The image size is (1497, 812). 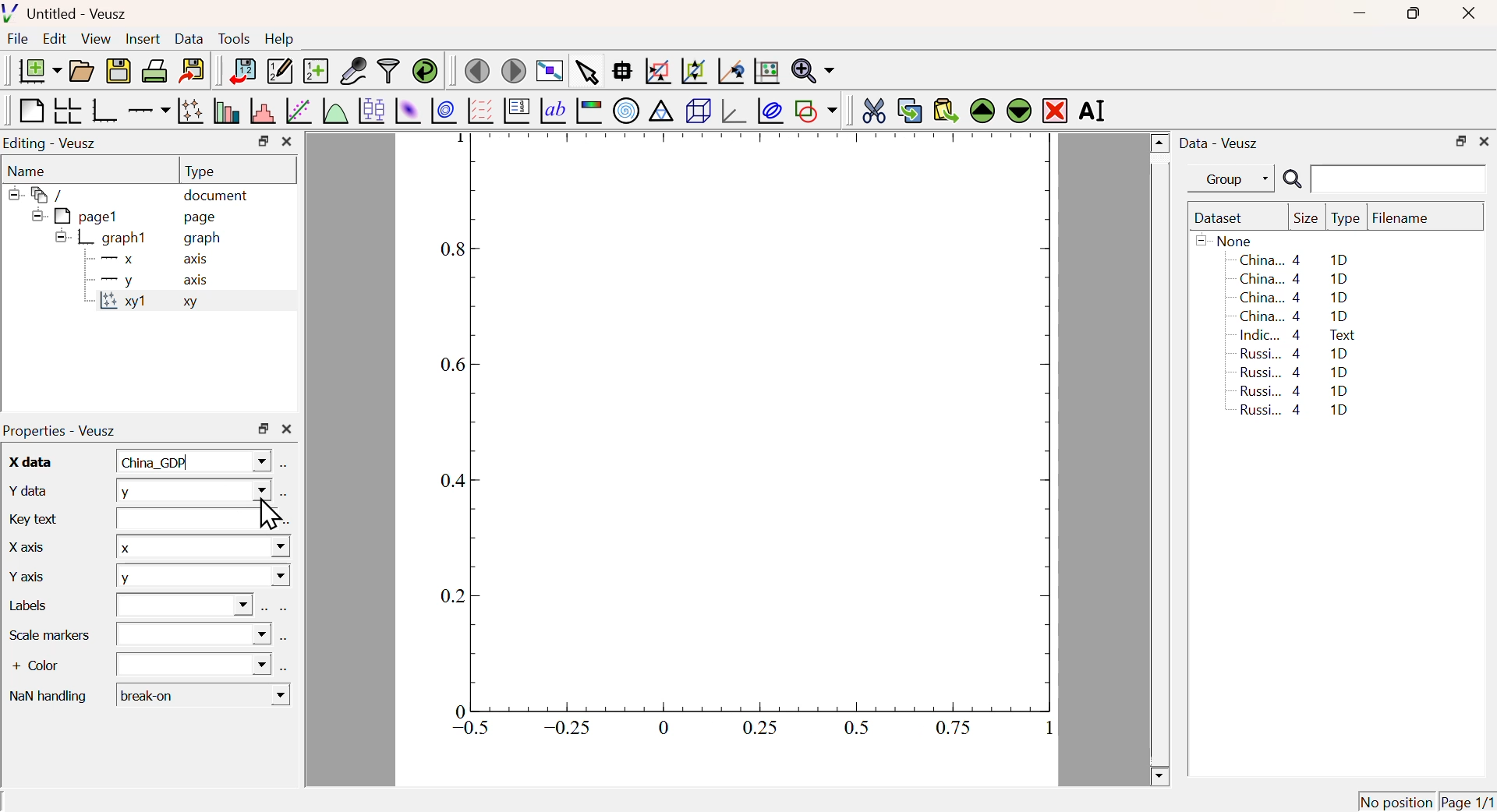 I want to click on Plot a function, so click(x=333, y=111).